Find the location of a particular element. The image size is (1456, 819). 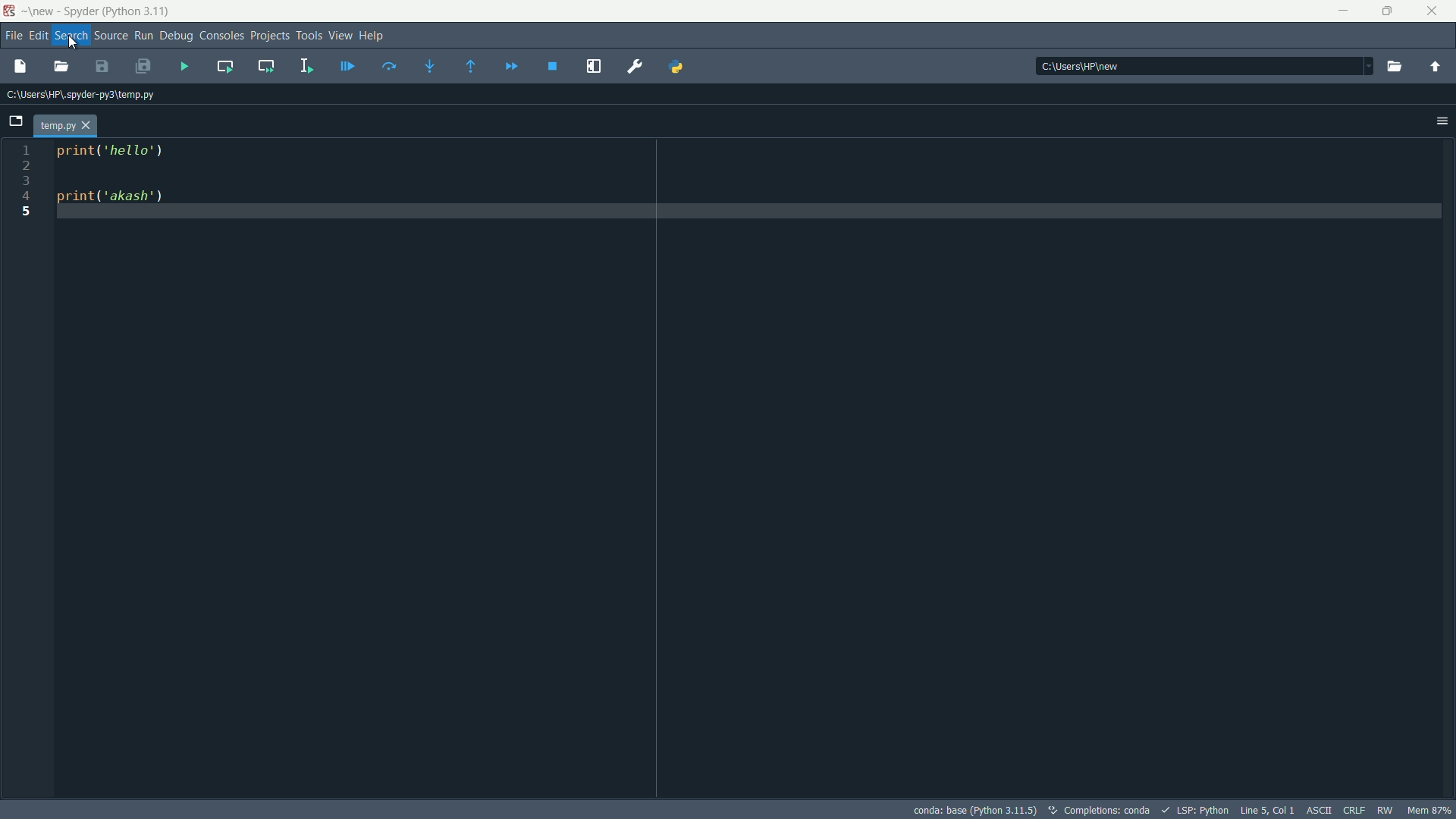

run current line is located at coordinates (389, 67).